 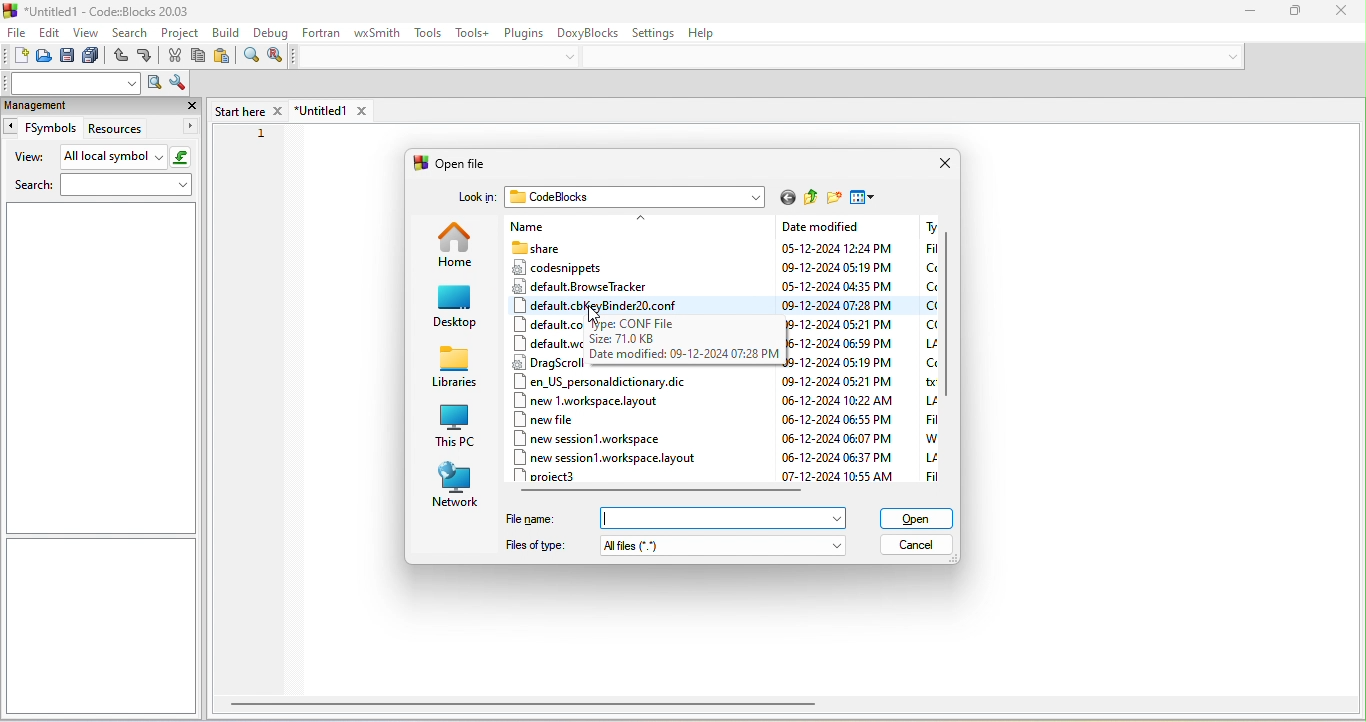 What do you see at coordinates (148, 57) in the screenshot?
I see `redo` at bounding box center [148, 57].